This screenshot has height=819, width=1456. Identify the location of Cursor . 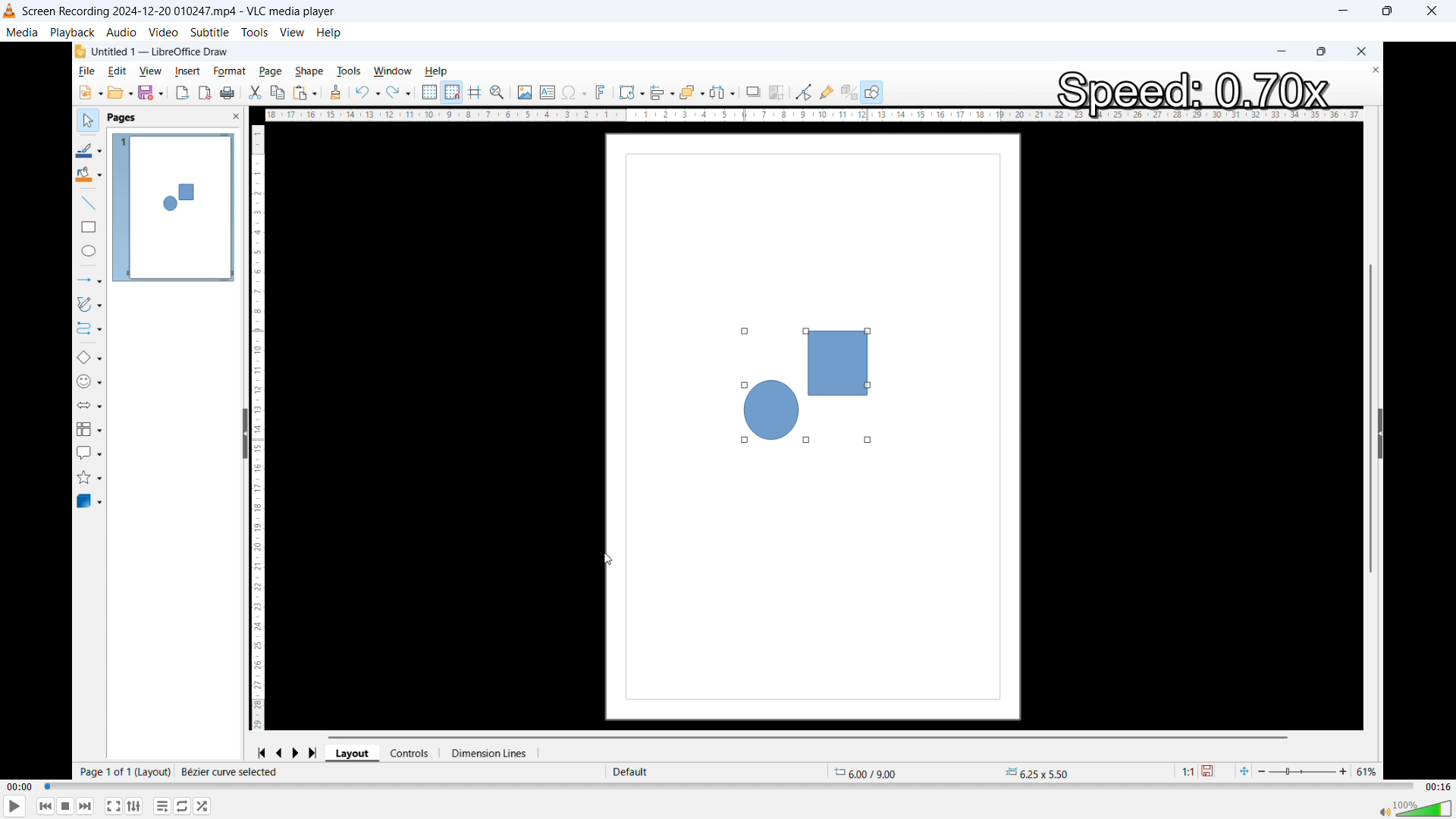
(608, 560).